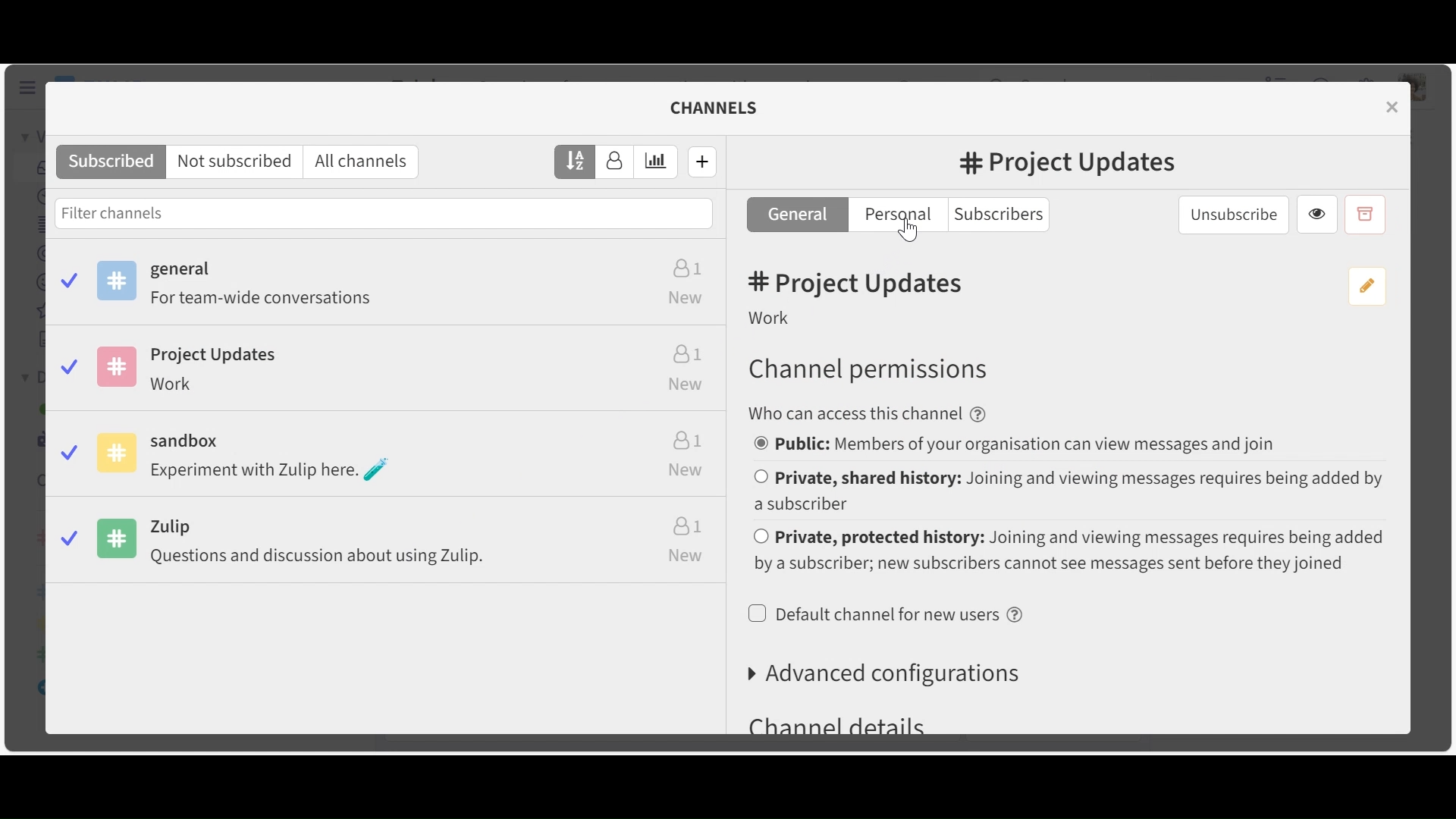 This screenshot has height=819, width=1456. I want to click on Zulip, so click(388, 547).